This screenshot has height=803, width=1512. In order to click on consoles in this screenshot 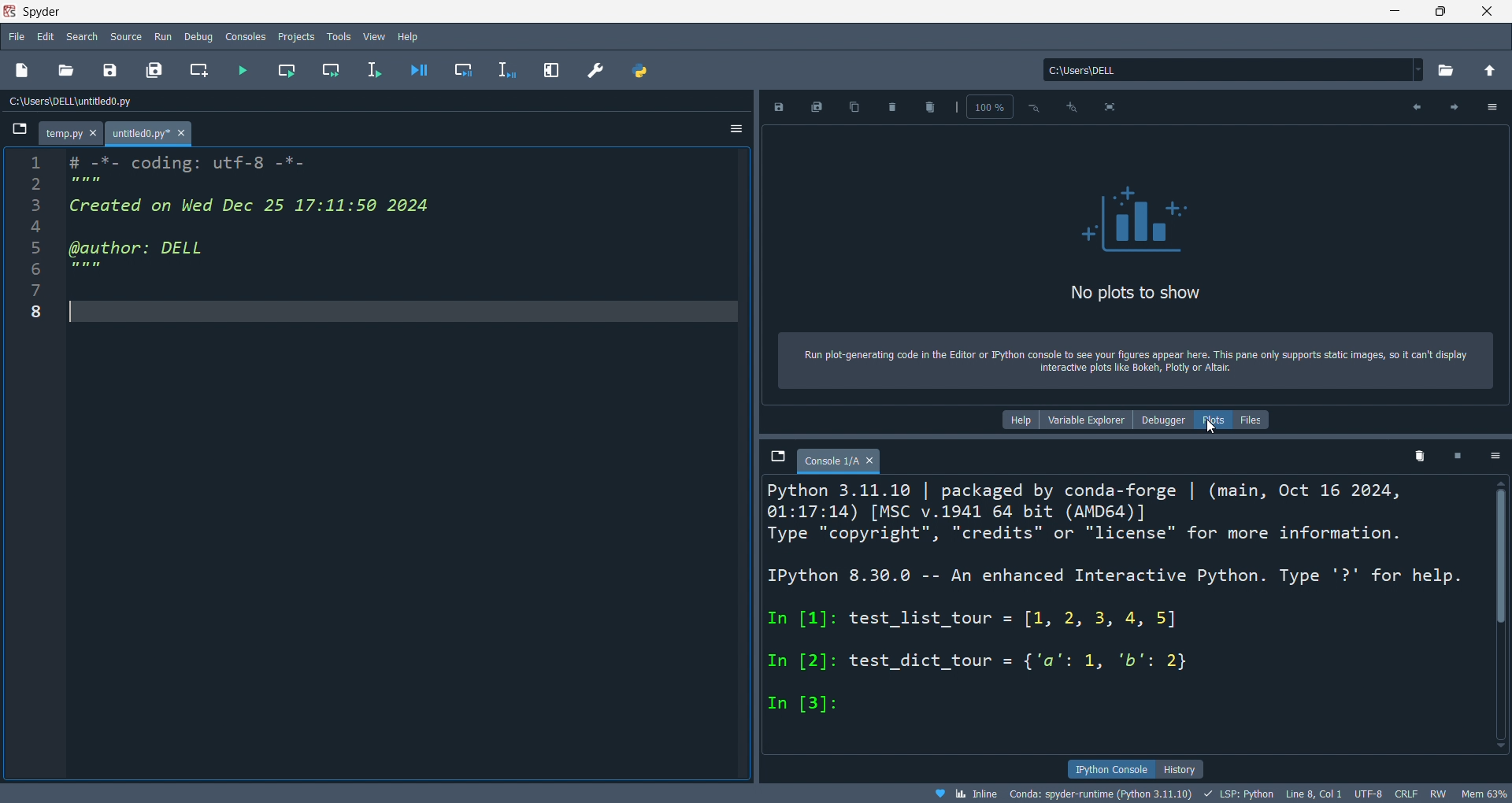, I will do `click(246, 35)`.